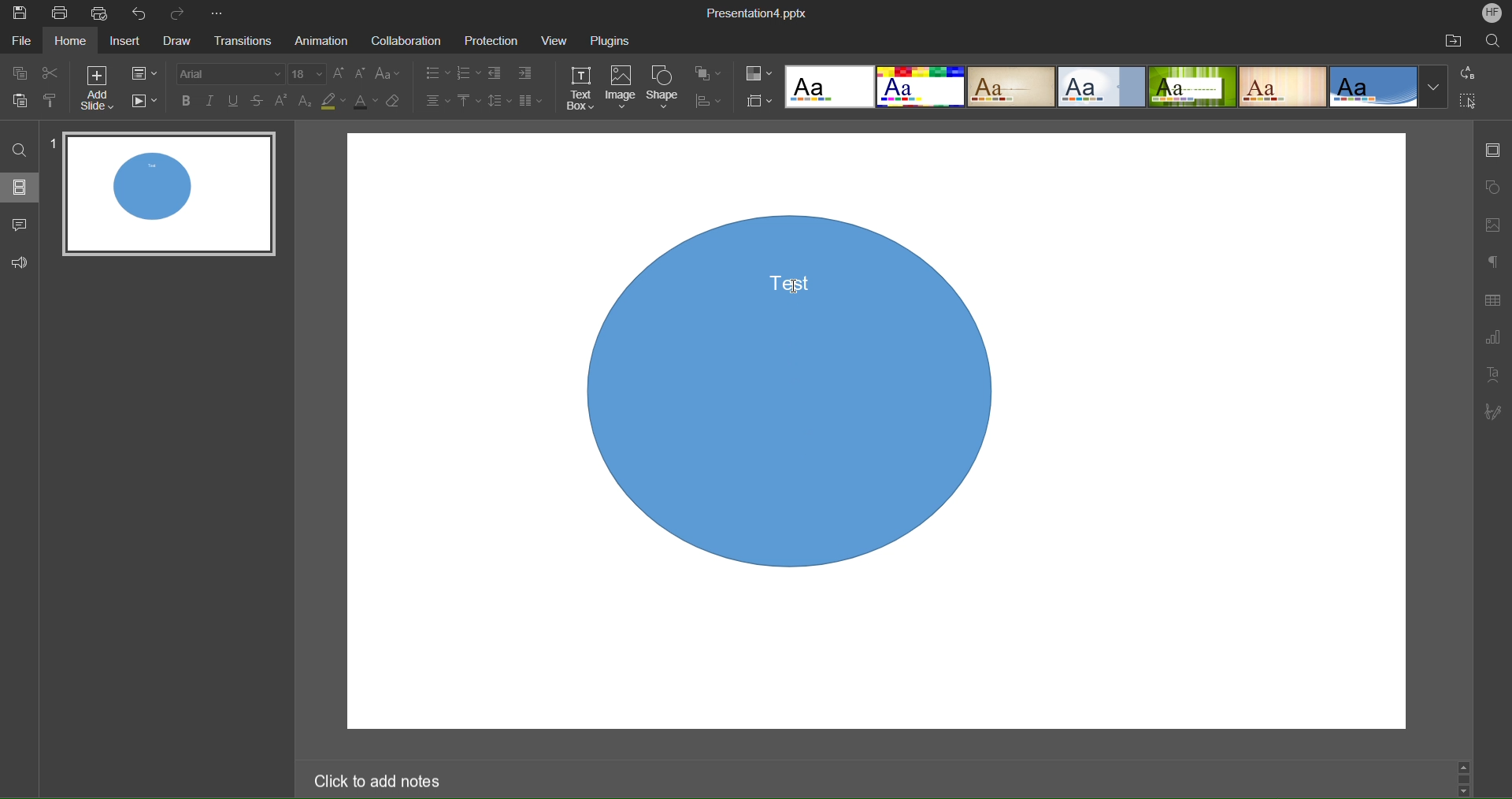 This screenshot has width=1512, height=799. I want to click on Slide Settings, so click(1493, 148).